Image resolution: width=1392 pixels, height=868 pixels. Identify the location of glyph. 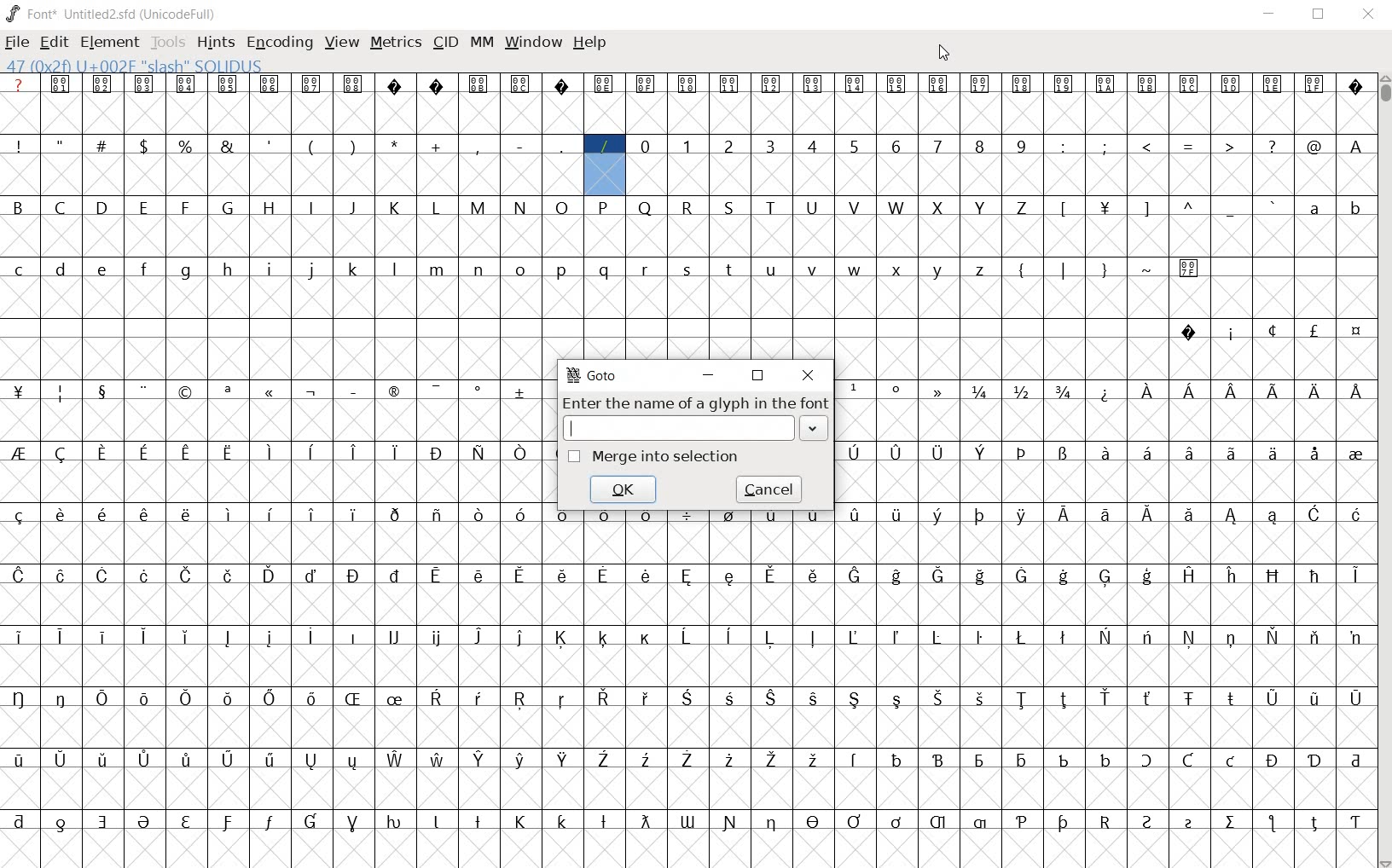
(478, 698).